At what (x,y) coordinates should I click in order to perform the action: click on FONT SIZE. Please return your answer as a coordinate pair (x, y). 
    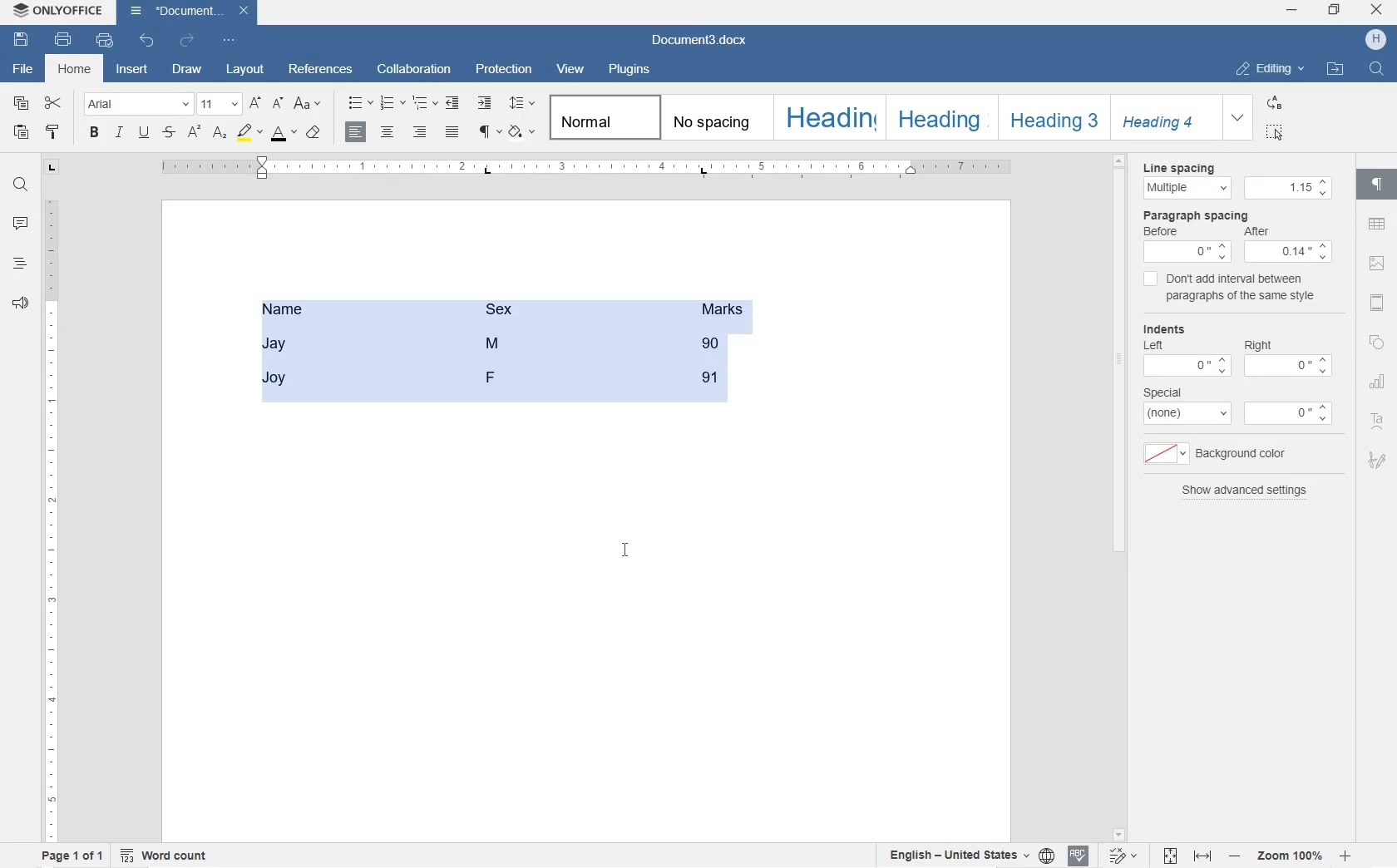
    Looking at the image, I should click on (220, 104).